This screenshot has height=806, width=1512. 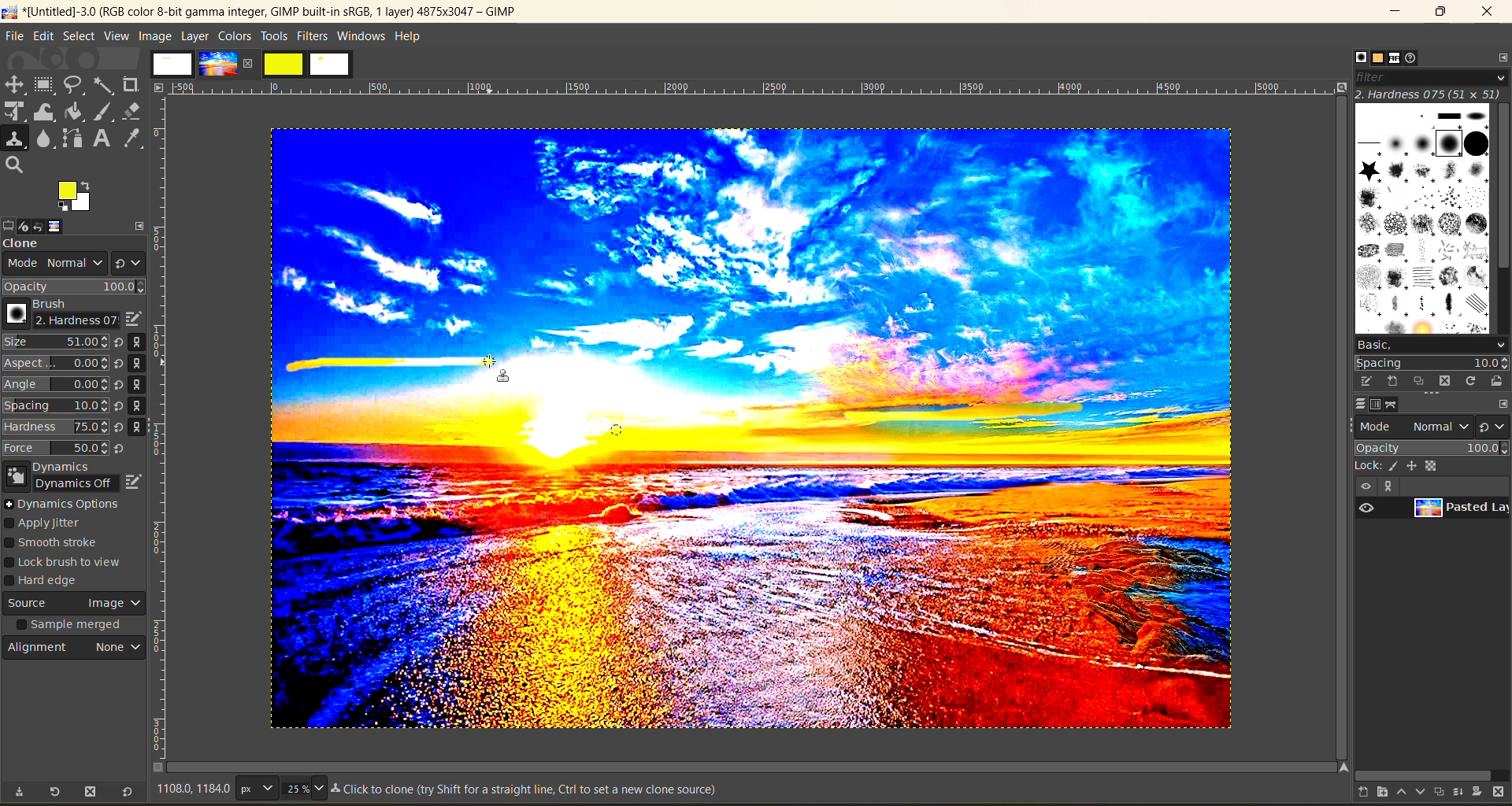 What do you see at coordinates (1395, 466) in the screenshot?
I see `painting tool` at bounding box center [1395, 466].